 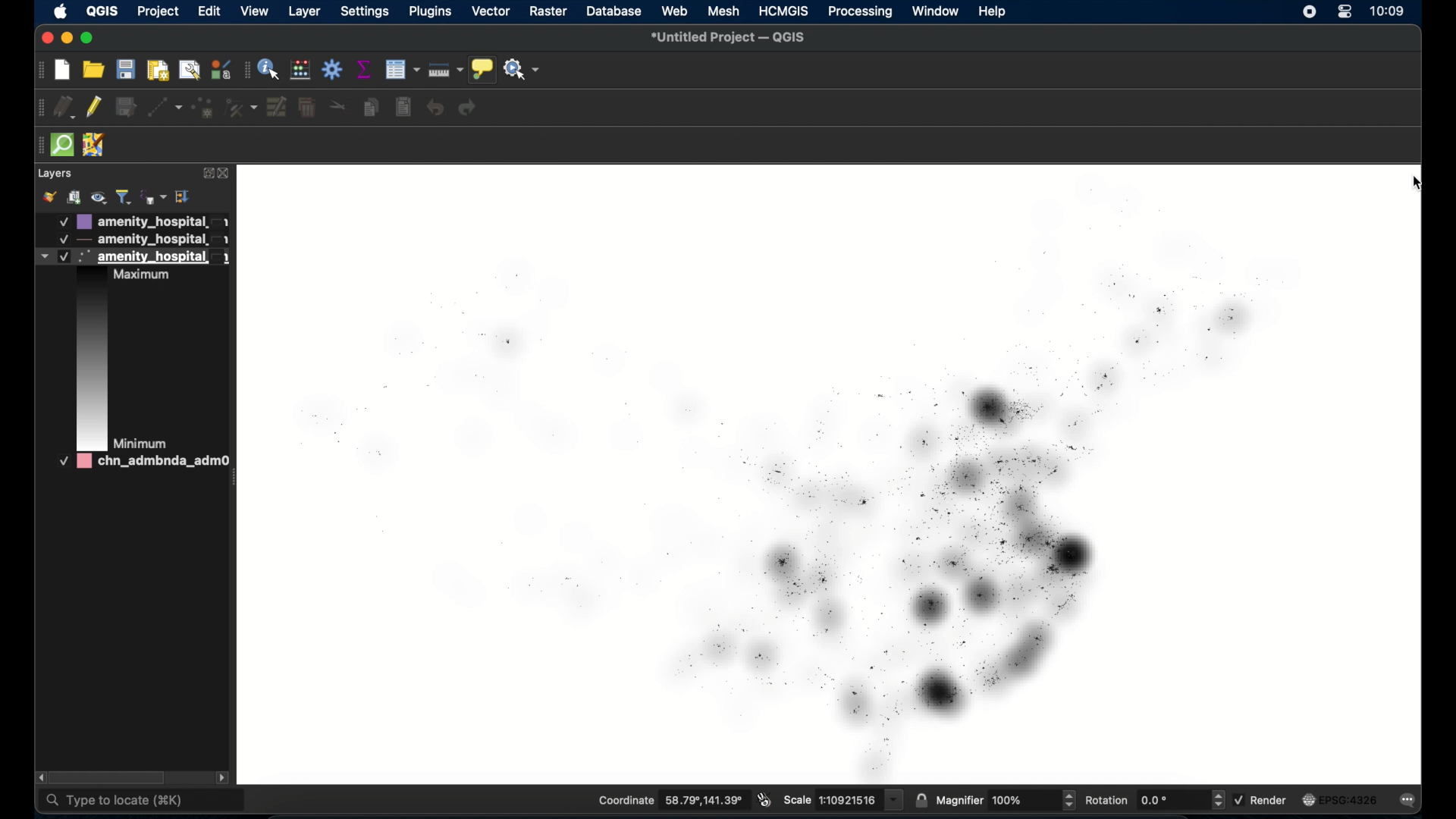 I want to click on delete selected, so click(x=403, y=108).